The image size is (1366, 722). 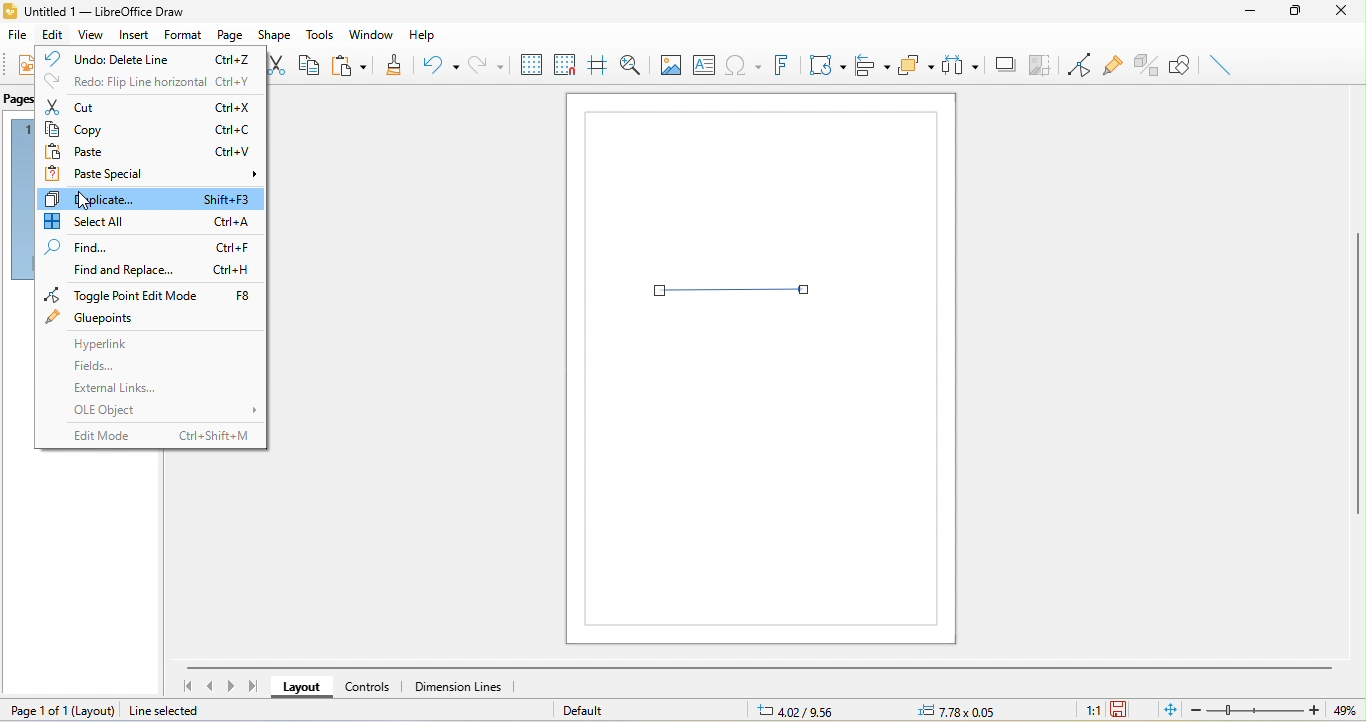 I want to click on shape, so click(x=278, y=34).